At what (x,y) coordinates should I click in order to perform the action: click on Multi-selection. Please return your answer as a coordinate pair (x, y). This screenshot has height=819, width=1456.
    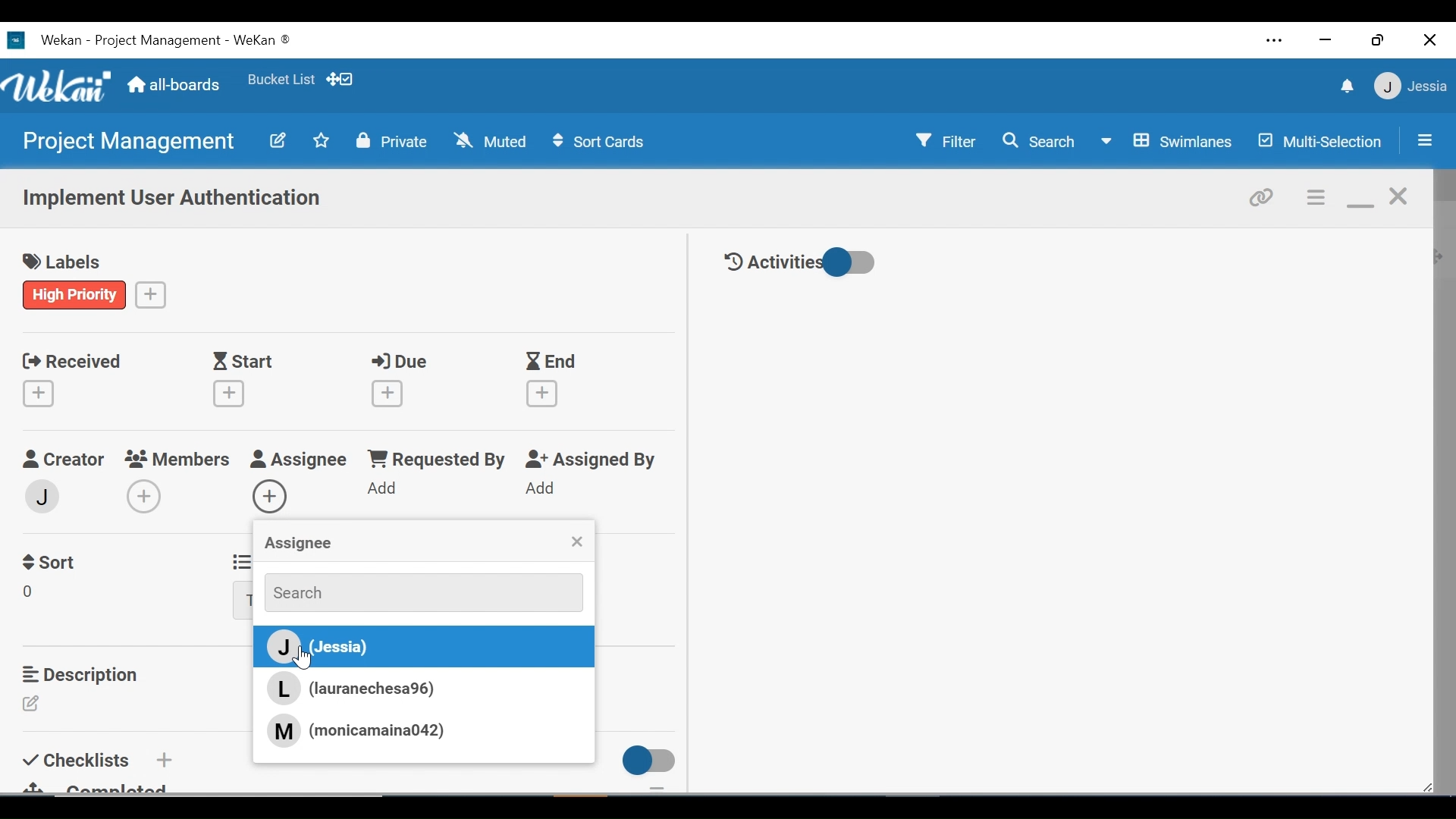
    Looking at the image, I should click on (1322, 141).